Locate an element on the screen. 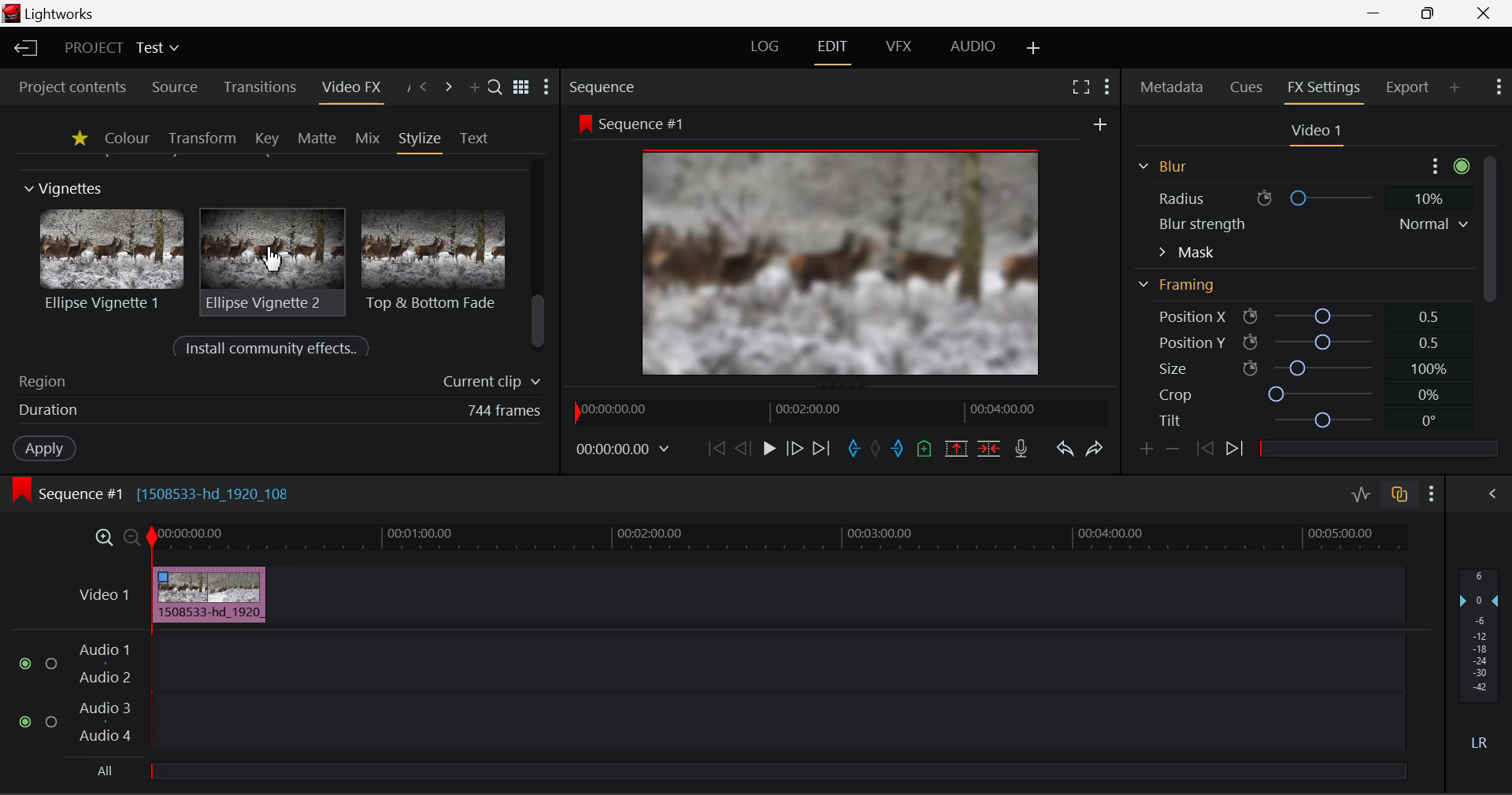 Image resolution: width=1512 pixels, height=795 pixels. Add keyframe is located at coordinates (1145, 449).